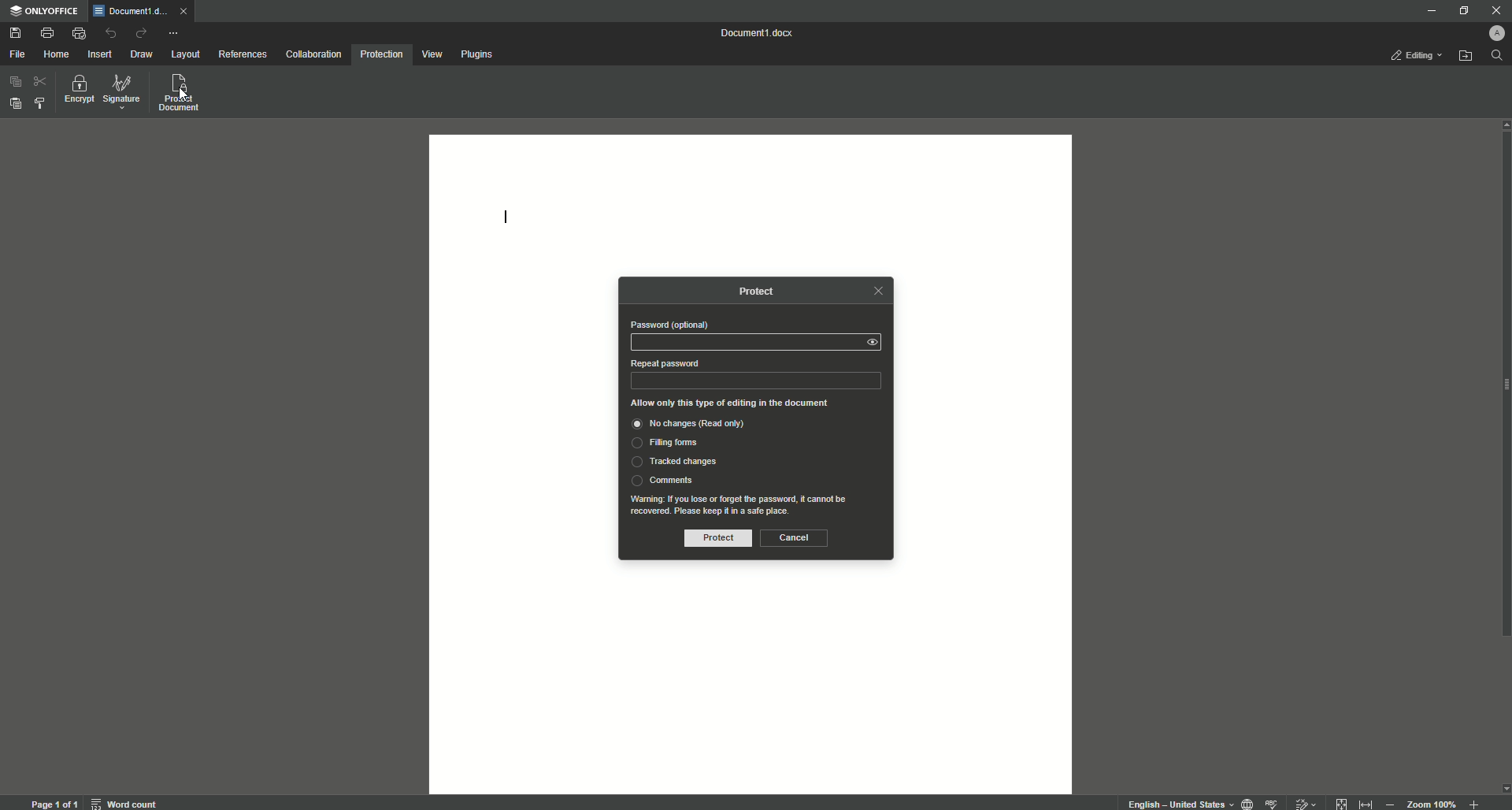 The height and width of the screenshot is (810, 1512). I want to click on scroll up, so click(1503, 124).